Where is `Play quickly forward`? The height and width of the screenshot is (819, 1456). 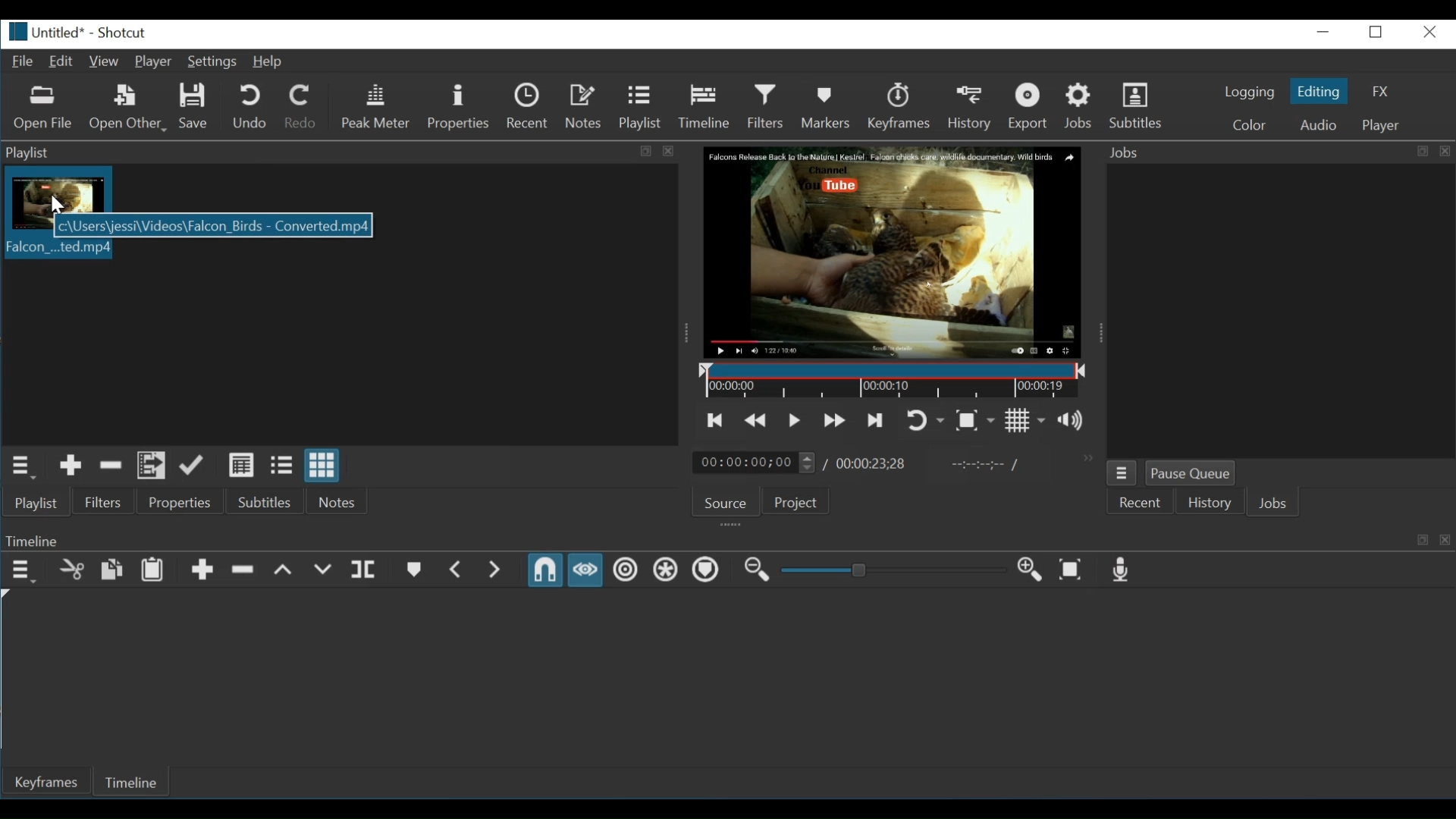
Play quickly forward is located at coordinates (835, 419).